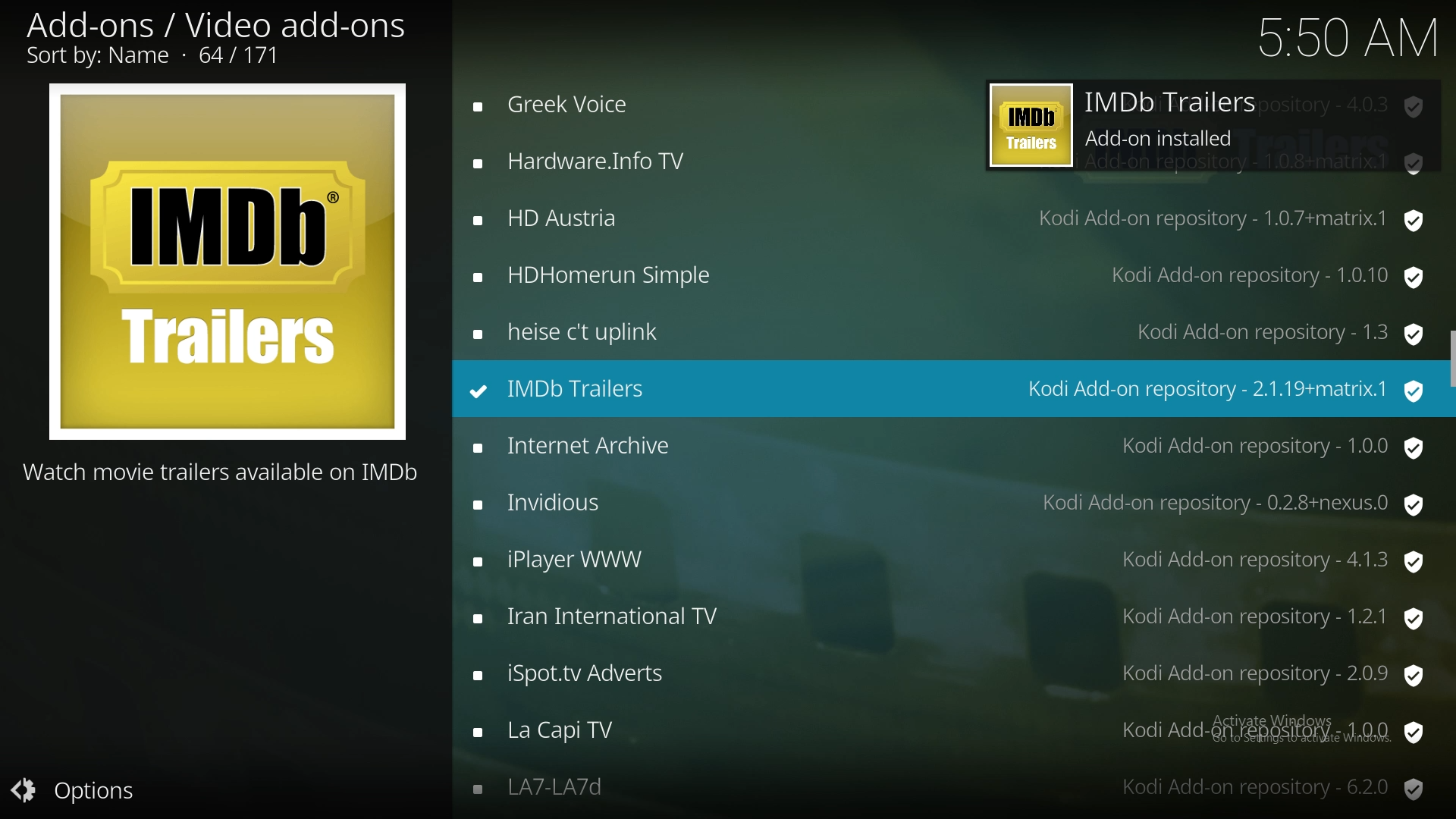  Describe the element at coordinates (85, 790) in the screenshot. I see `options` at that location.